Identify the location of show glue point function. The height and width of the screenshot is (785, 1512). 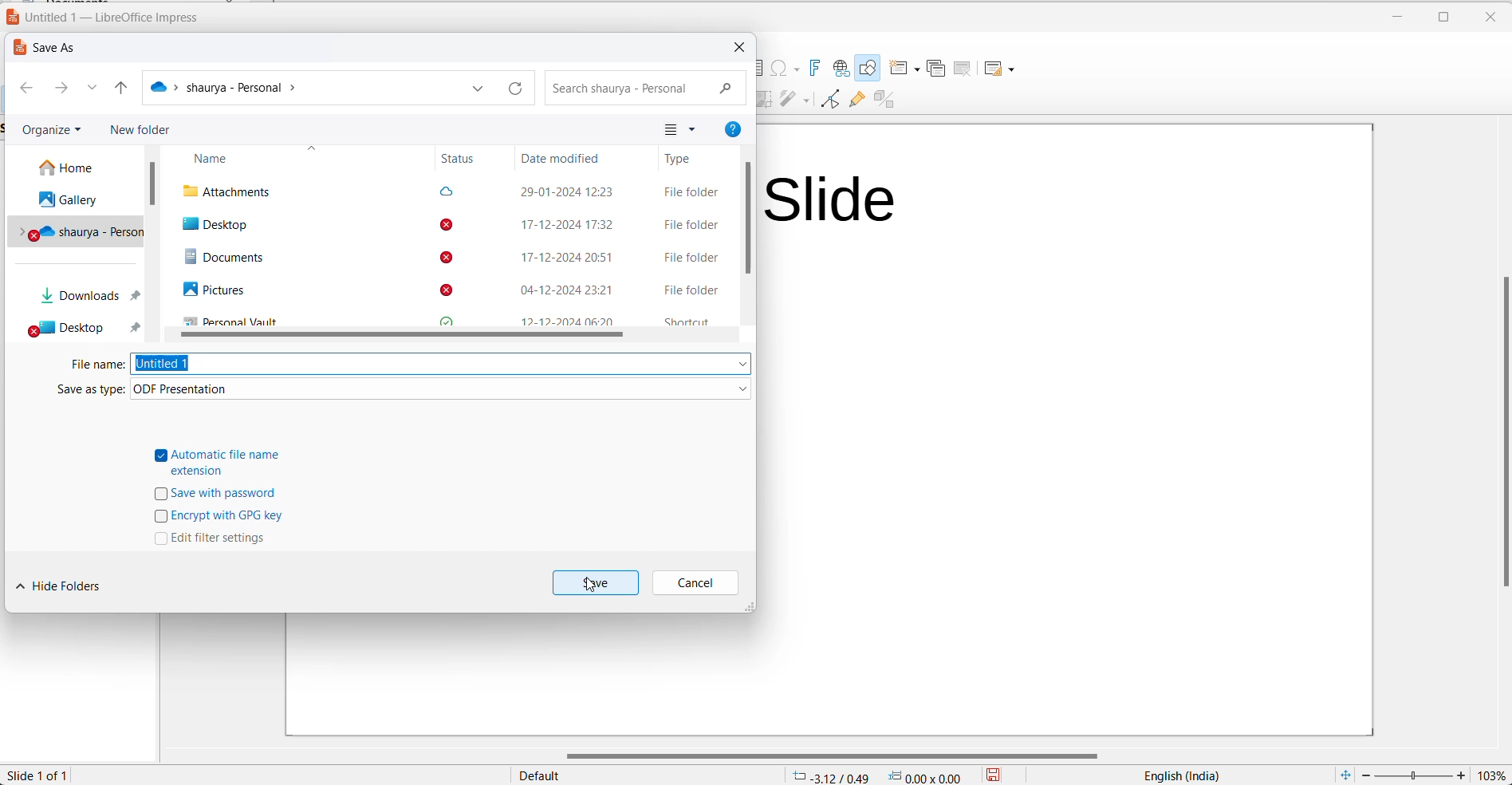
(857, 101).